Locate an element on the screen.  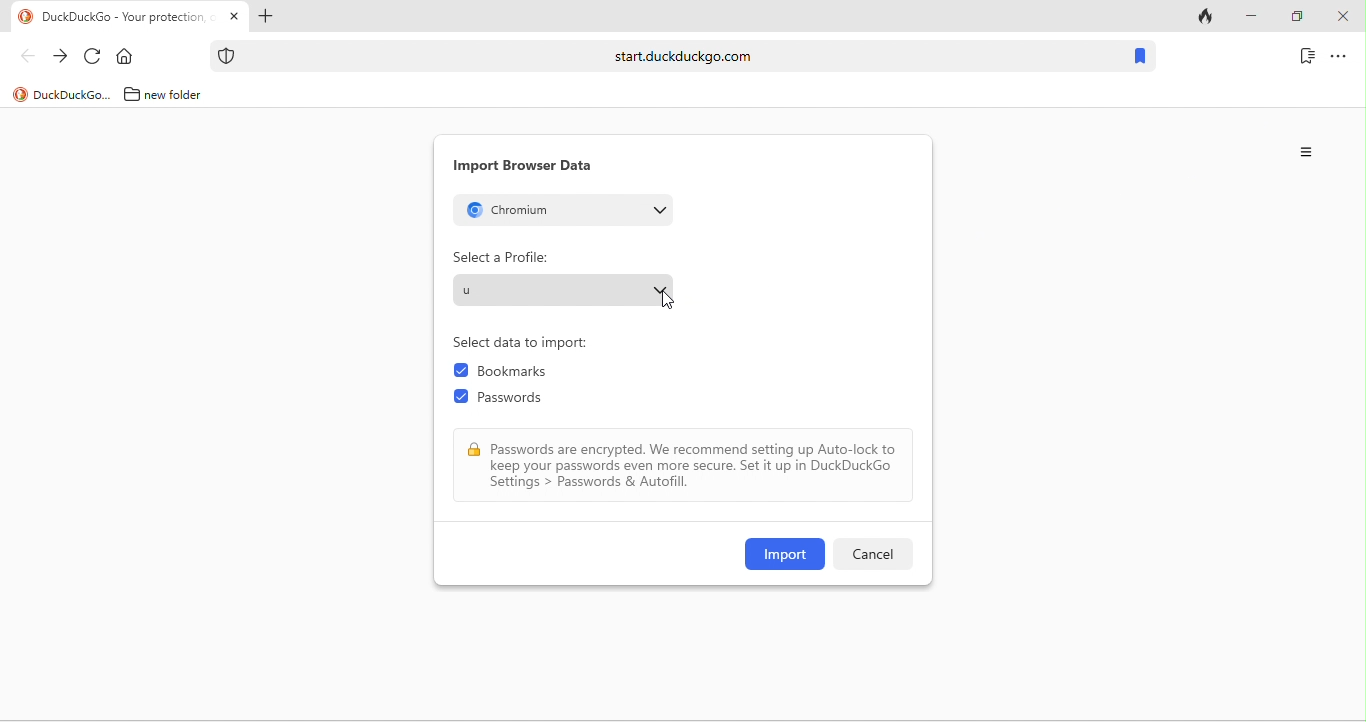
icon is located at coordinates (26, 17).